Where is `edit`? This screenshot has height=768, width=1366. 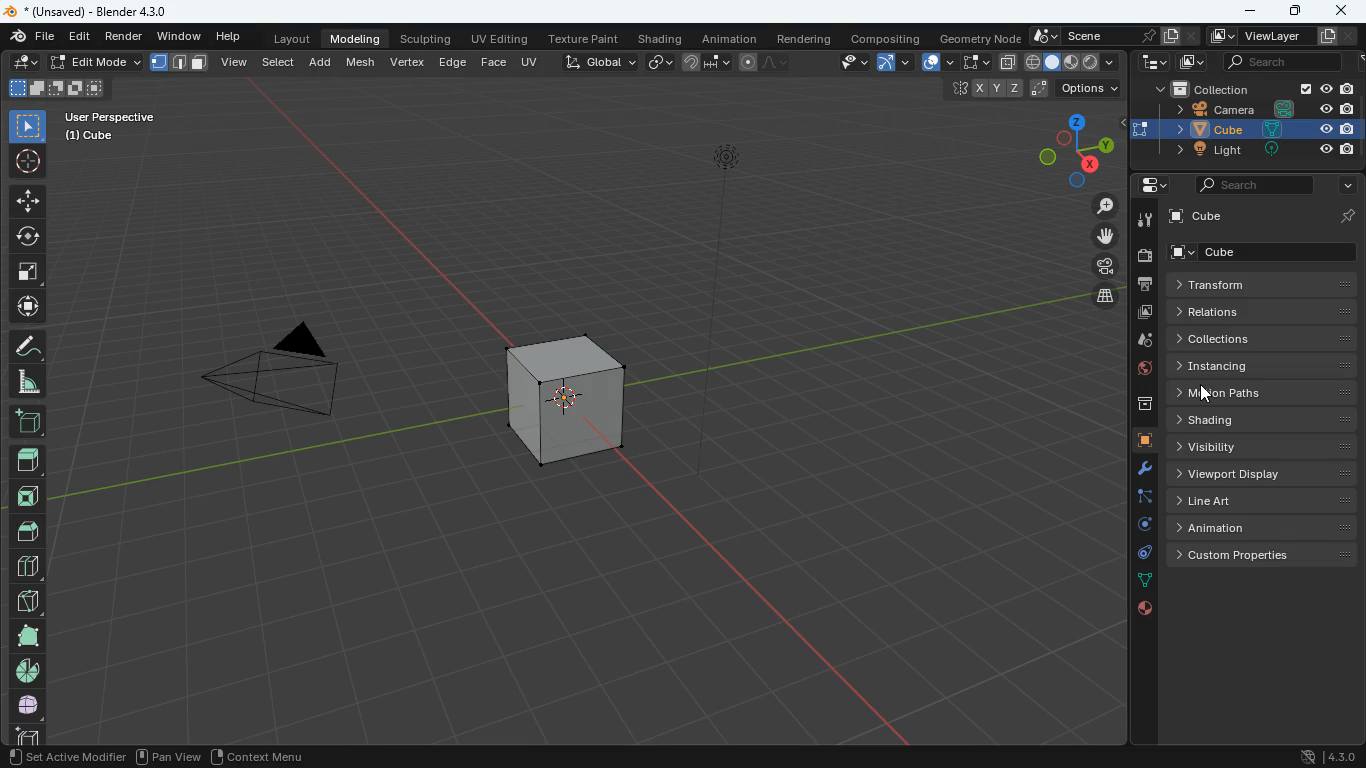
edit is located at coordinates (79, 38).